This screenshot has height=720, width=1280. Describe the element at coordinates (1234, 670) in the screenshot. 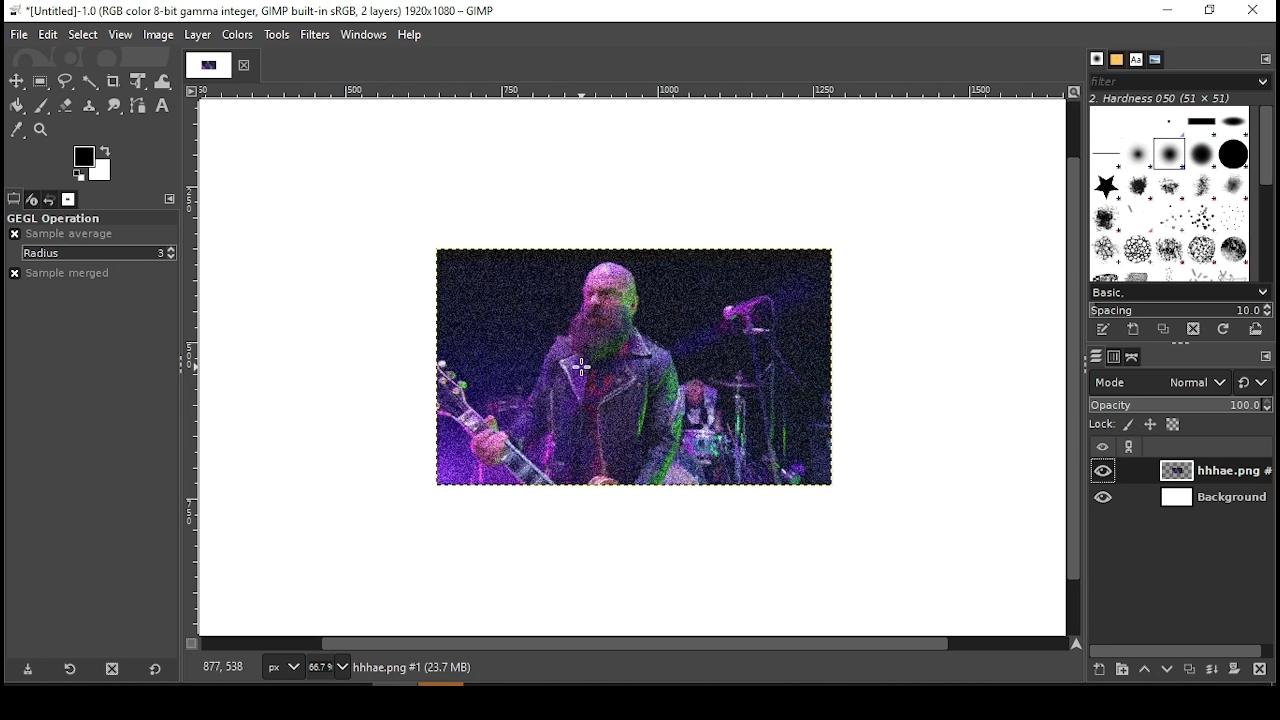

I see `add a mask` at that location.